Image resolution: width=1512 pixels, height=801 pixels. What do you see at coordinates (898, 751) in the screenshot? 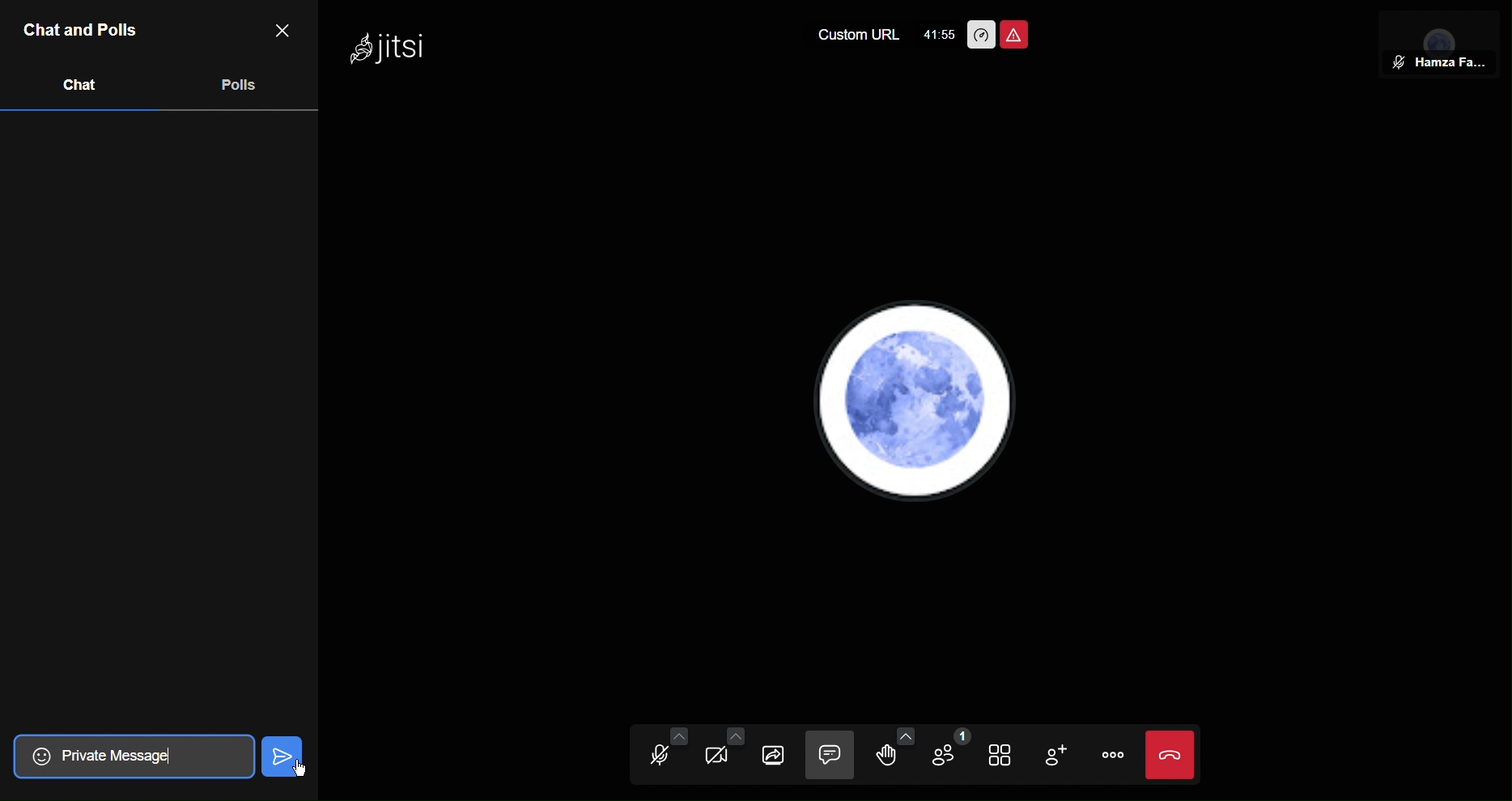
I see `Raise Hand` at bounding box center [898, 751].